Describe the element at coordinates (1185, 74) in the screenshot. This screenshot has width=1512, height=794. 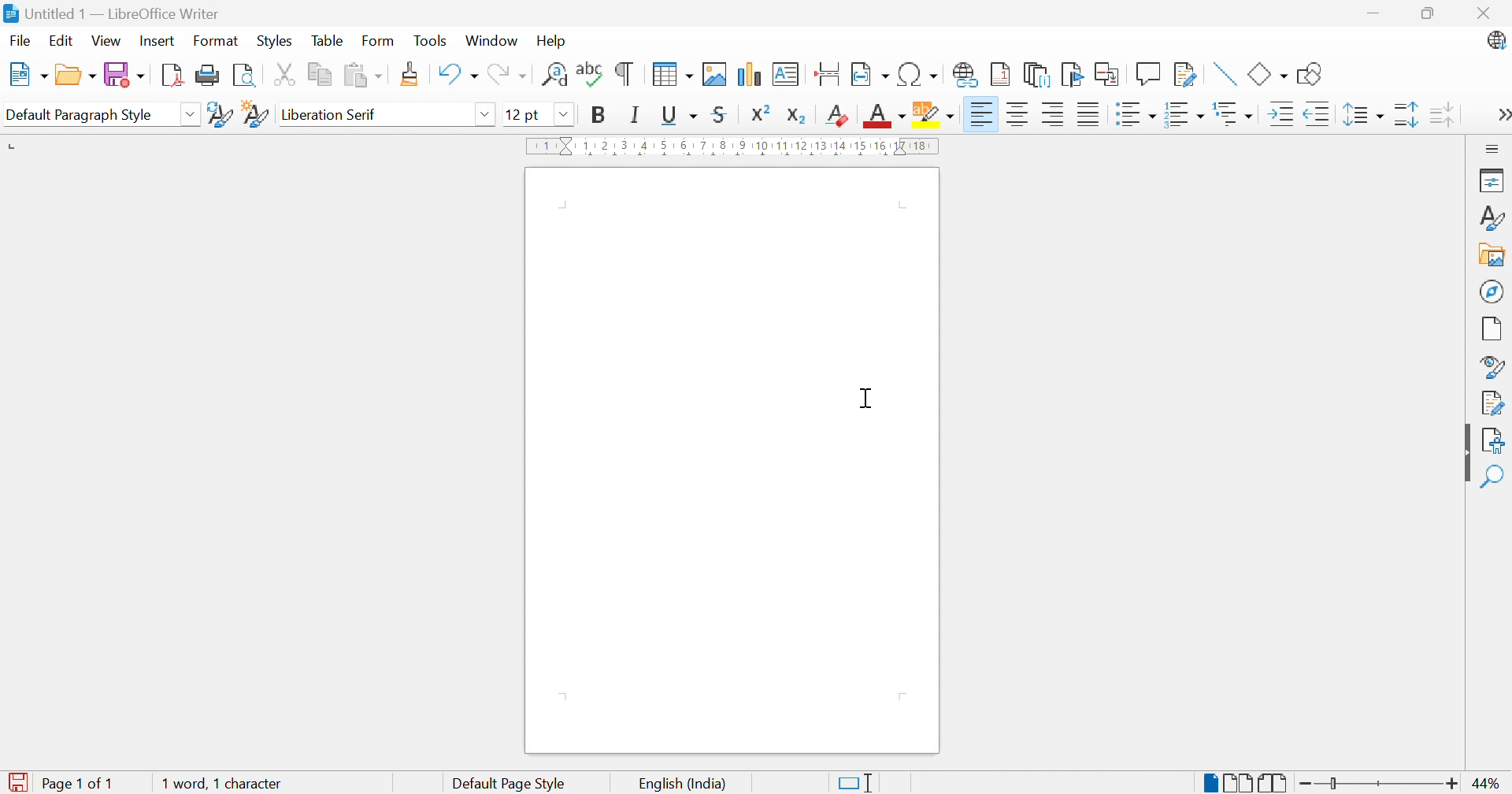
I see `Show track changes functions` at that location.